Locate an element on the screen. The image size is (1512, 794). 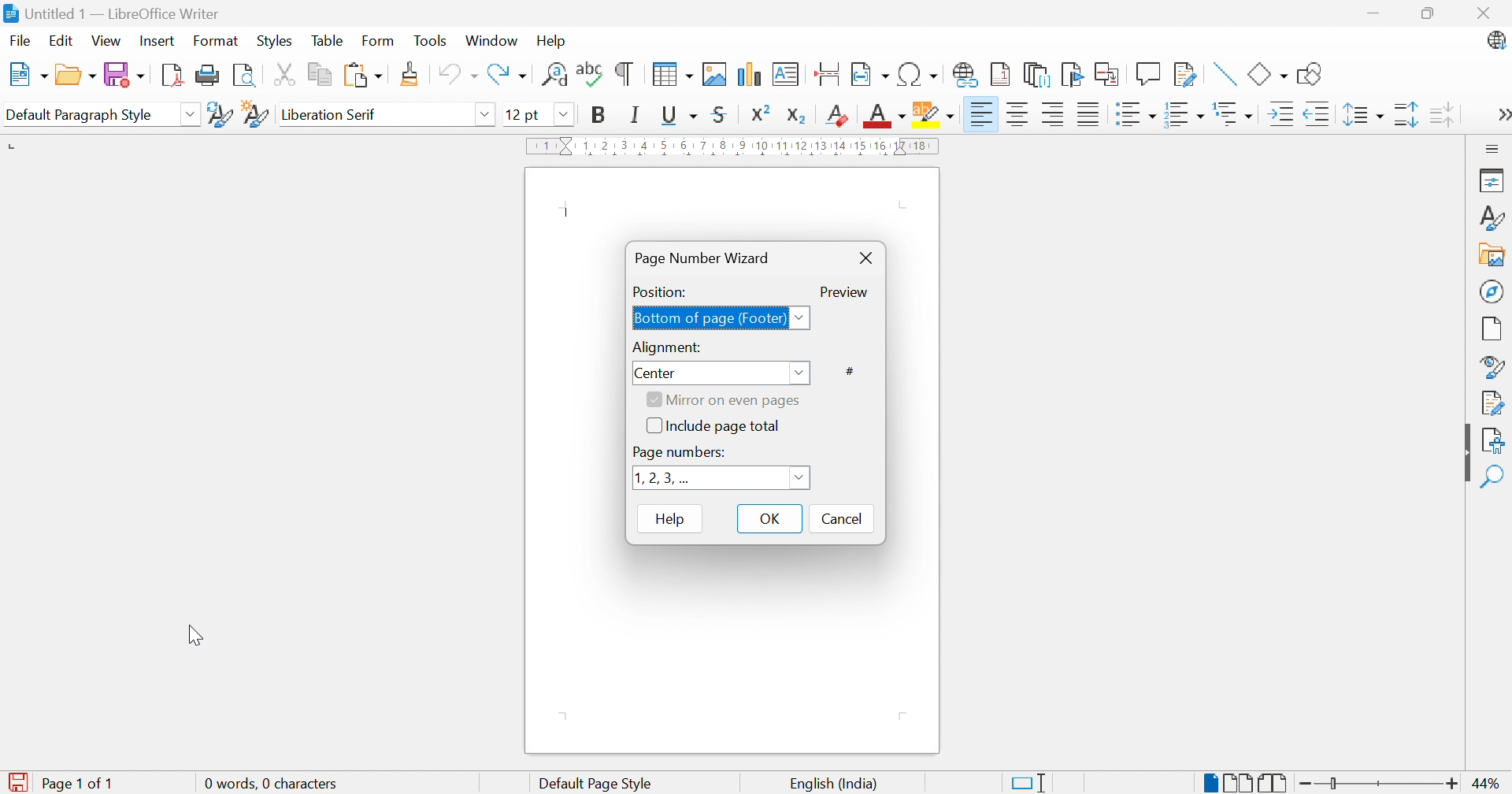
Preview is located at coordinates (847, 293).